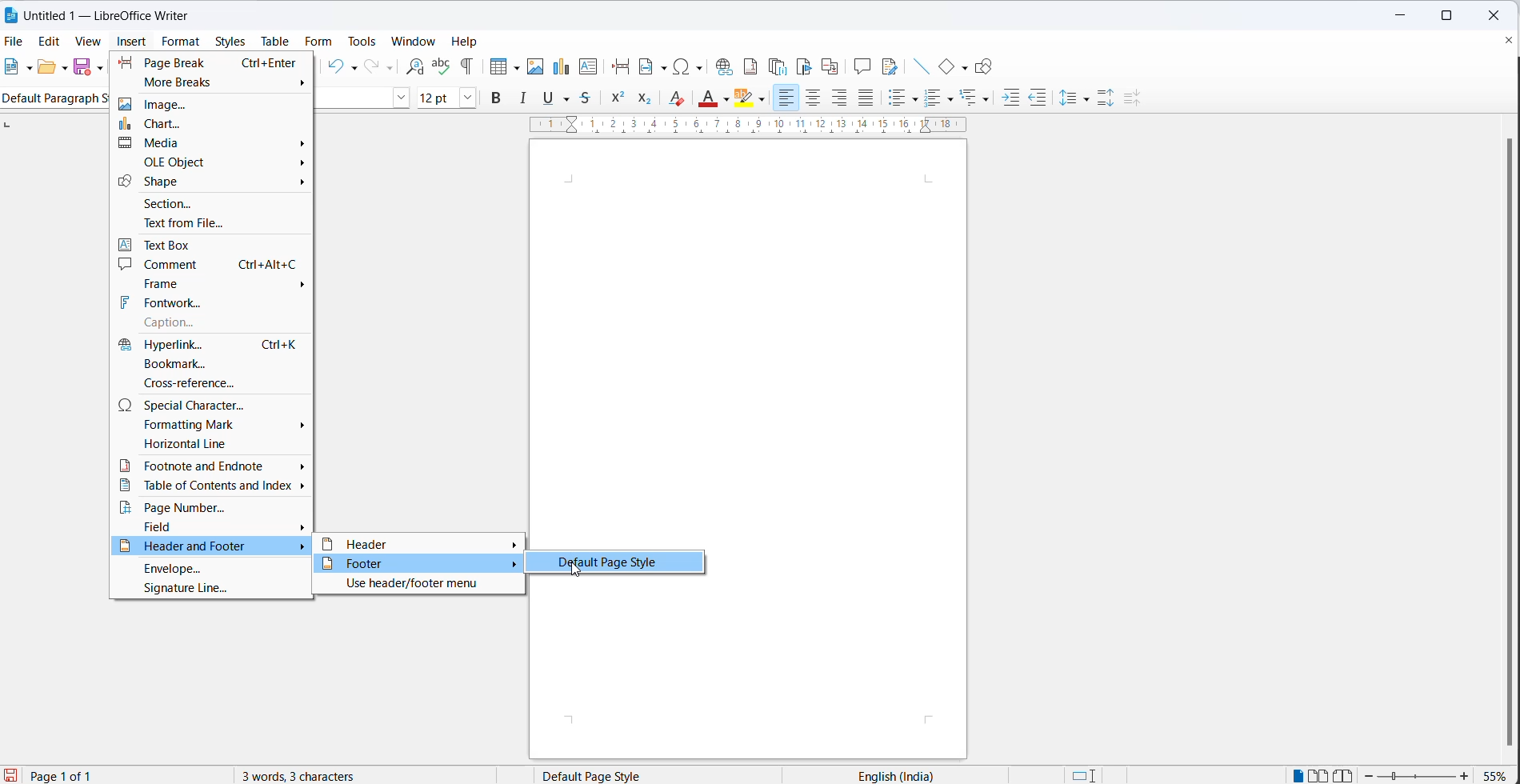 This screenshot has width=1520, height=784. I want to click on redo options, so click(388, 67).